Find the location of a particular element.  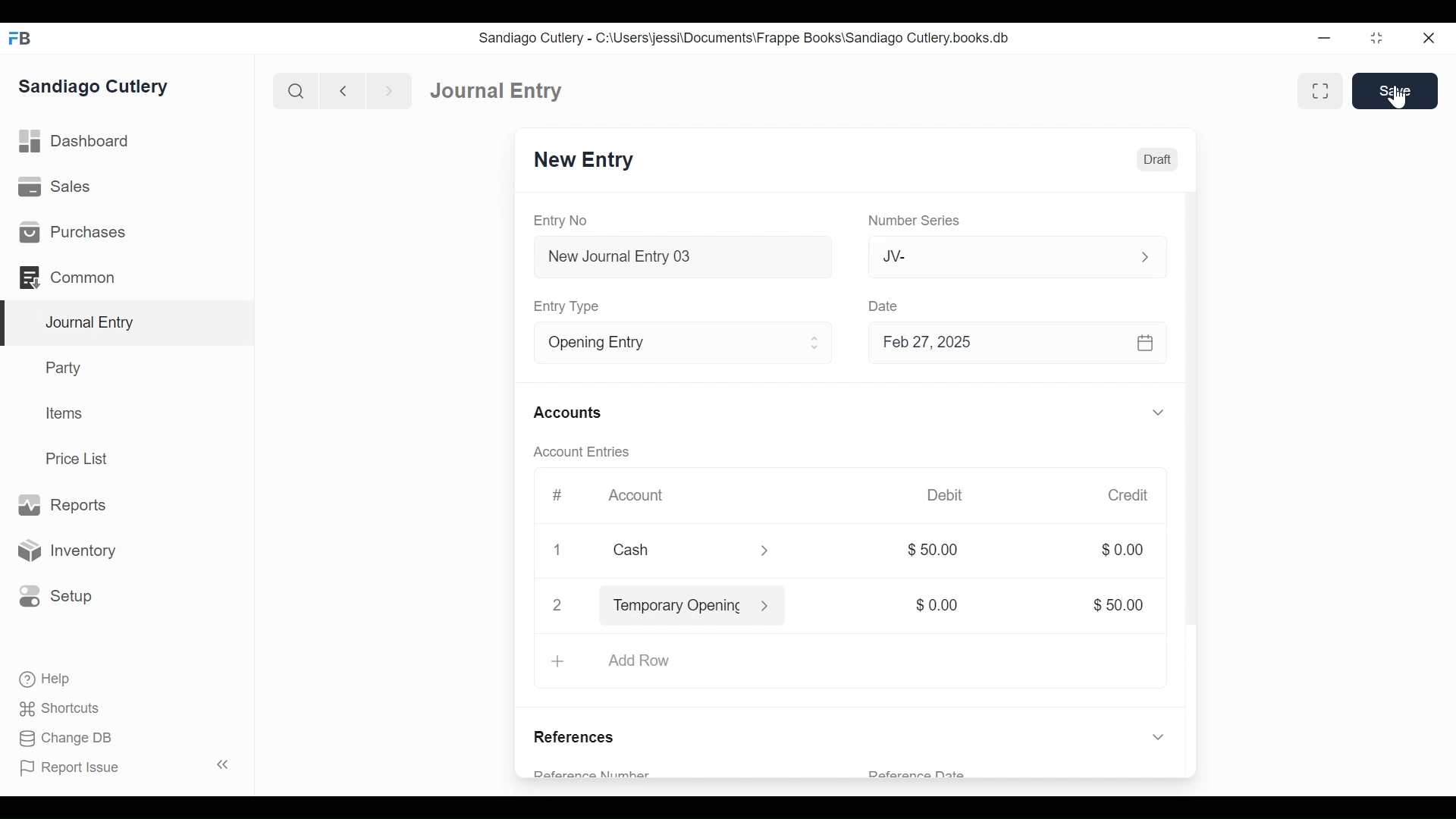

JV- is located at coordinates (990, 256).